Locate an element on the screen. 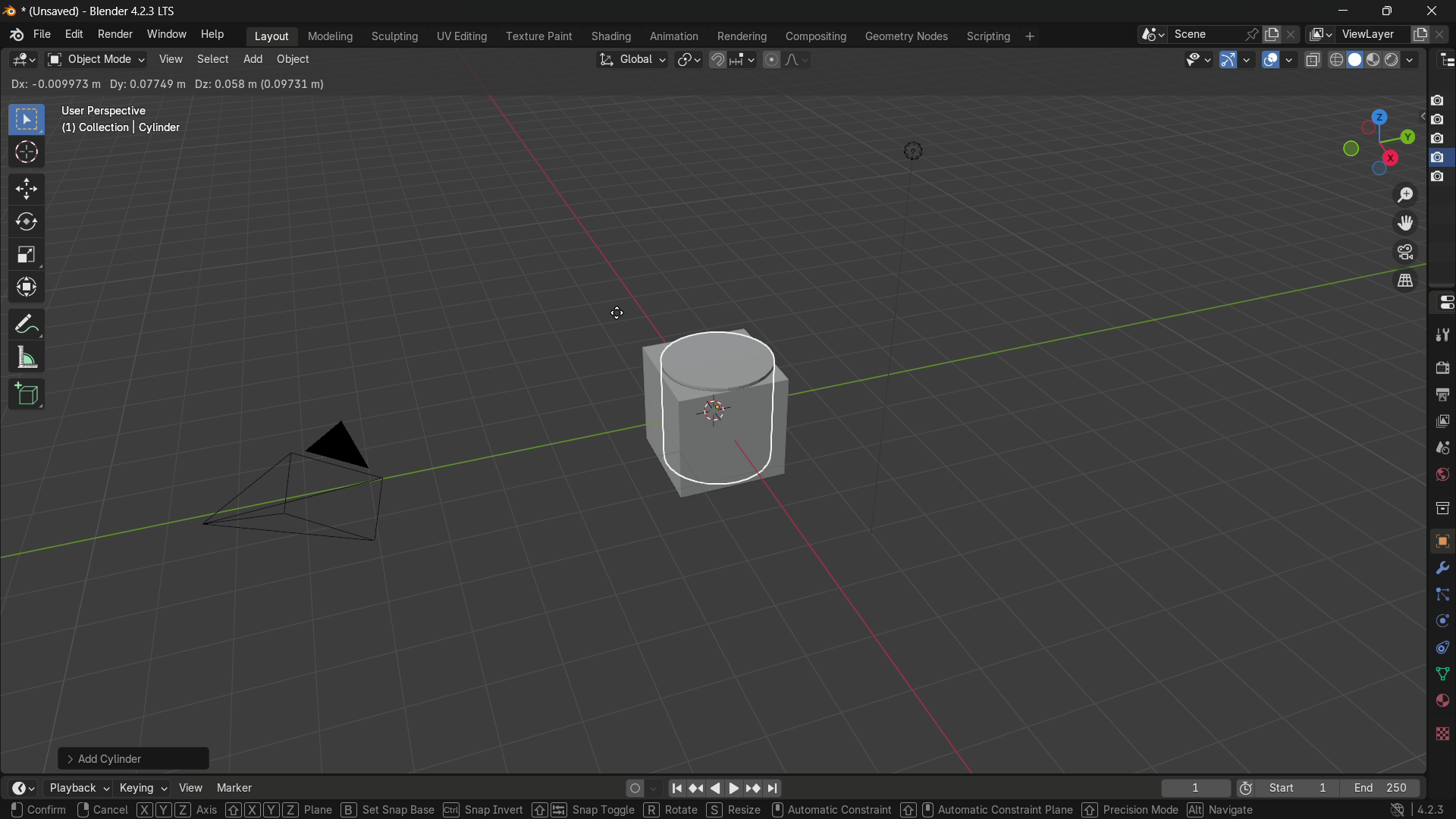 The height and width of the screenshot is (819, 1456). snap is located at coordinates (731, 60).